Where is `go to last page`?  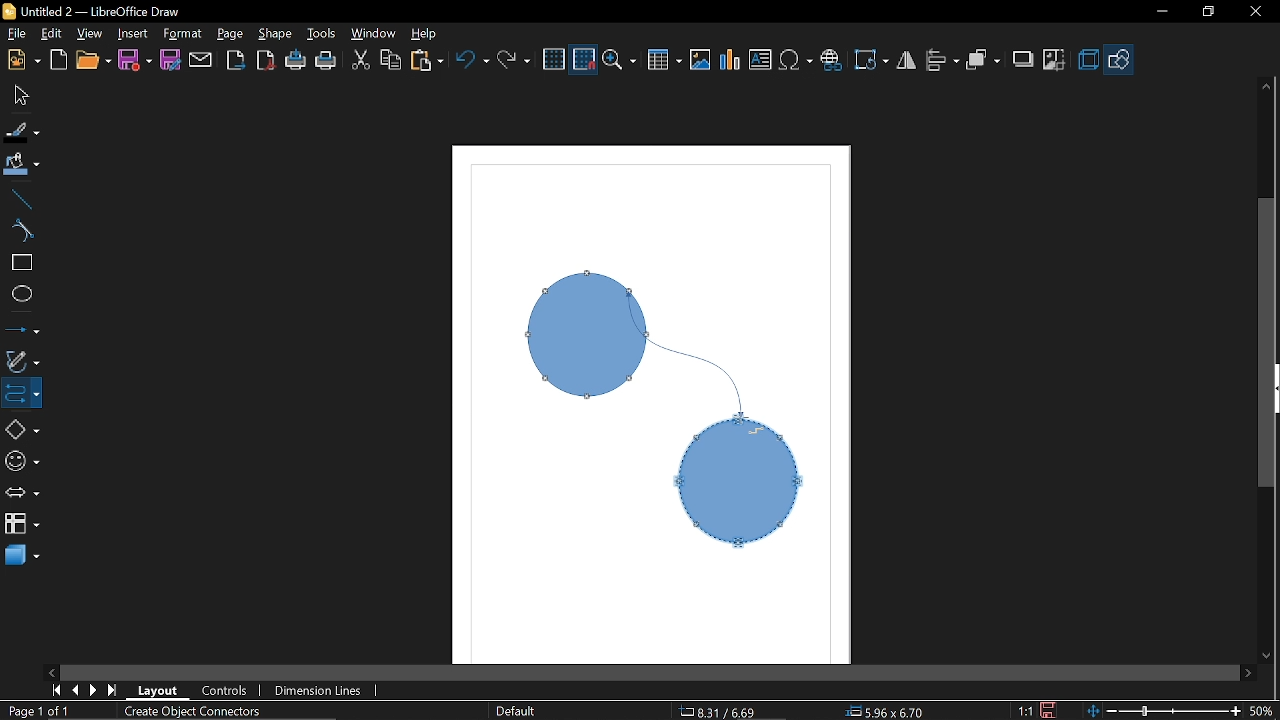 go to last page is located at coordinates (115, 690).